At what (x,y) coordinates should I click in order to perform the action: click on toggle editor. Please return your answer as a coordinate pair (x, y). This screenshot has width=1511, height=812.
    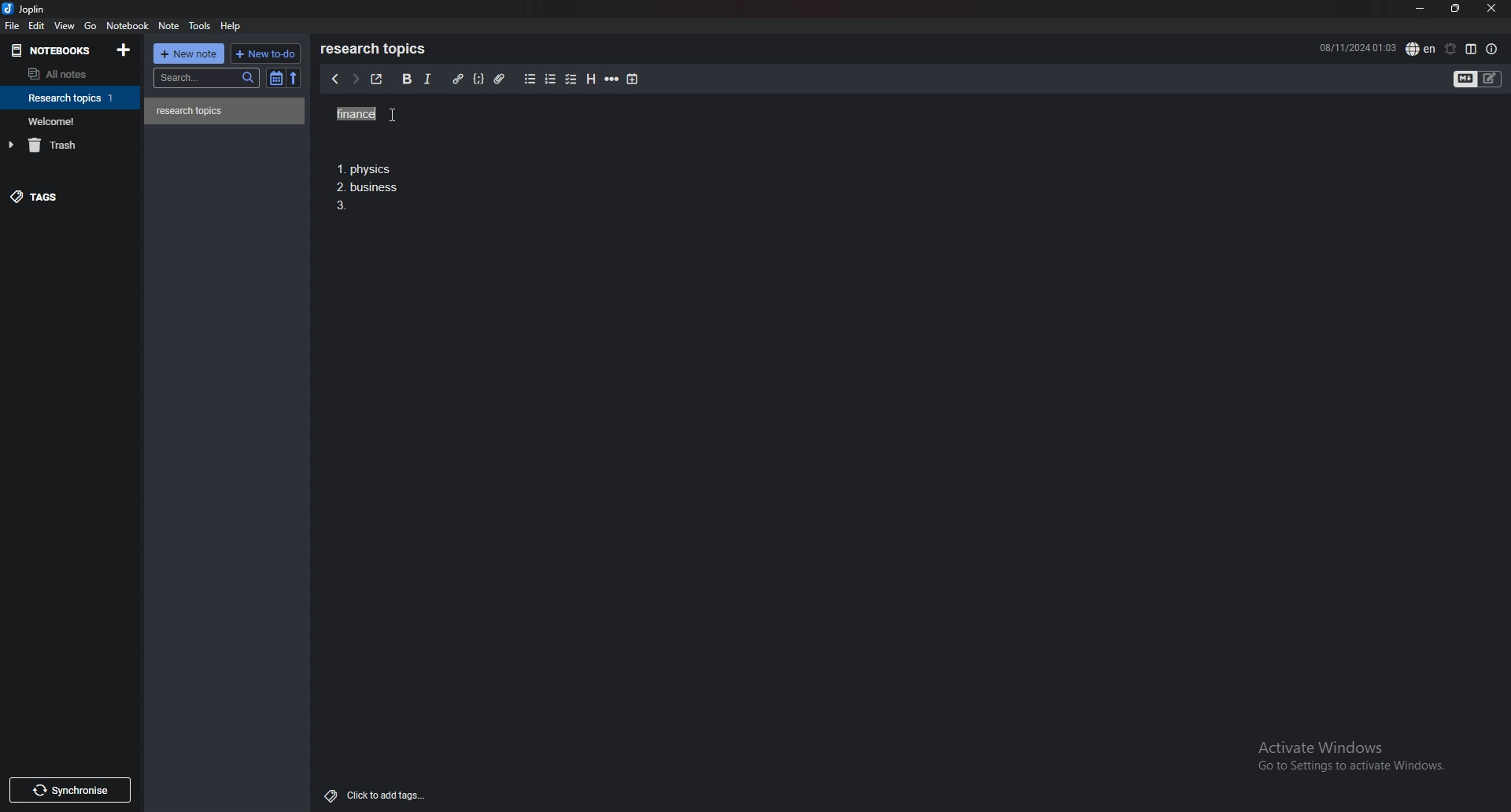
    Looking at the image, I should click on (1479, 79).